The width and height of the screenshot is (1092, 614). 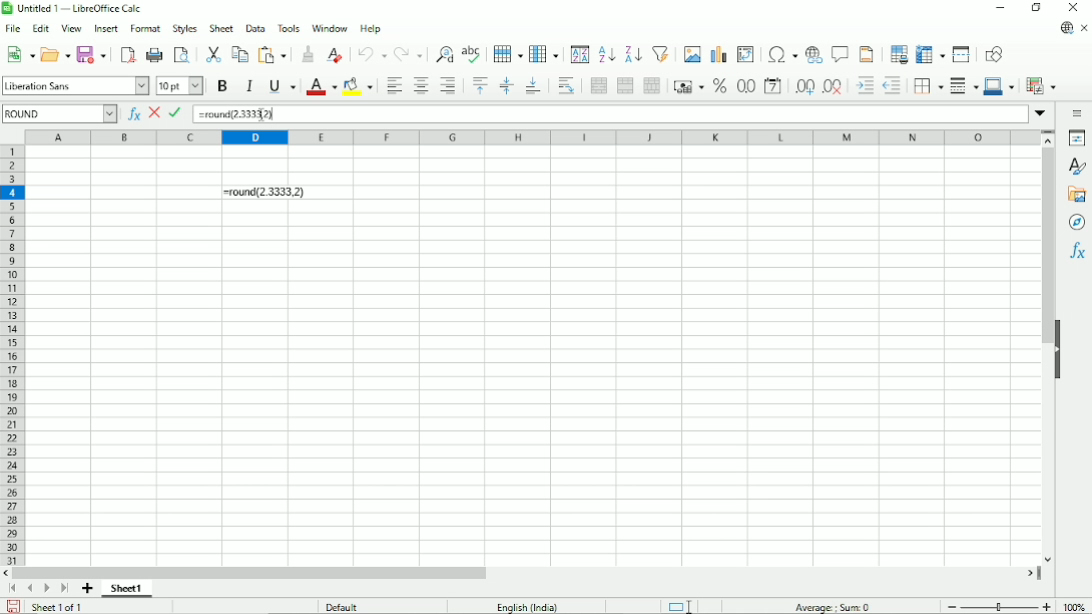 I want to click on Restore down, so click(x=1037, y=7).